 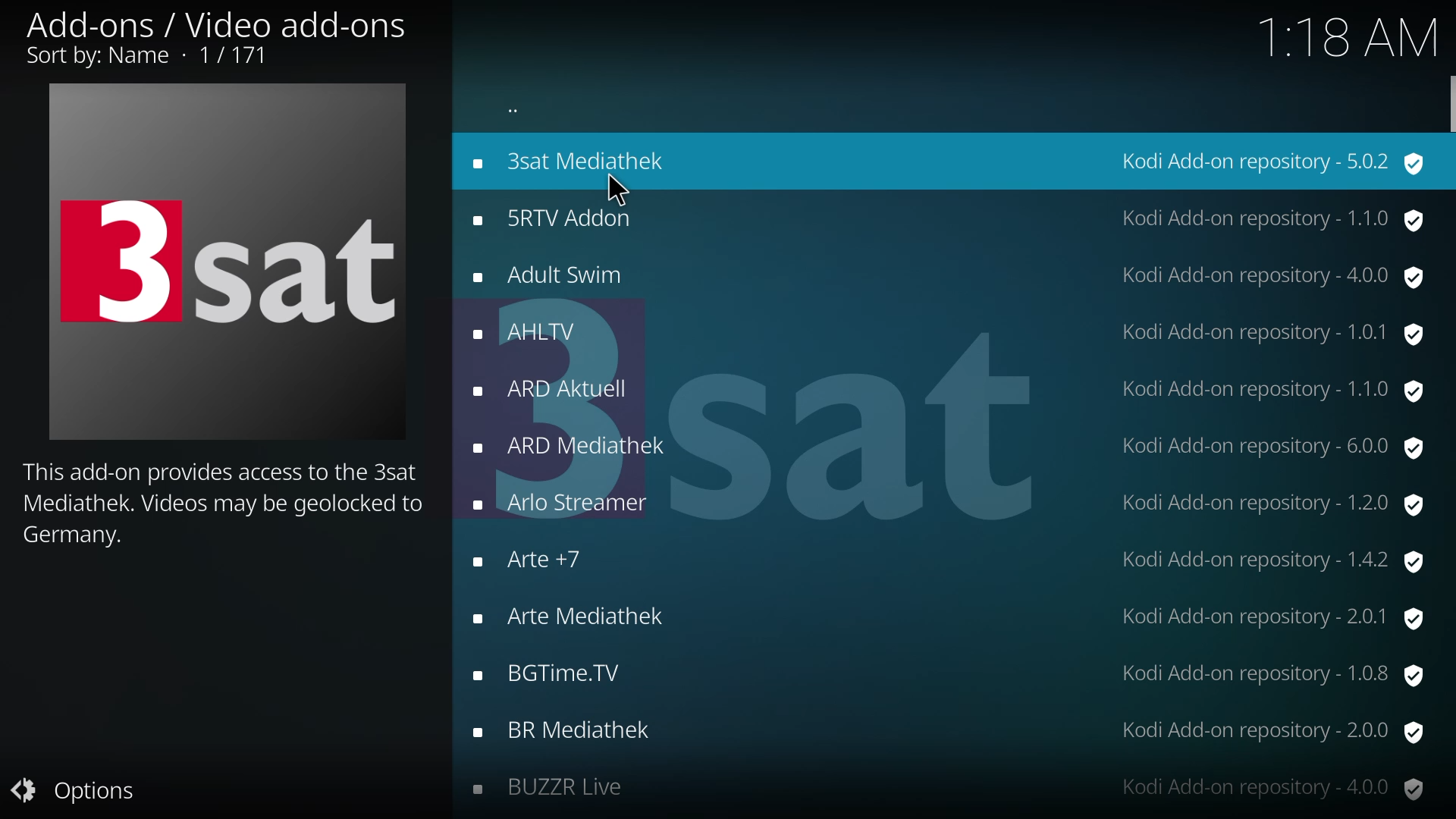 What do you see at coordinates (1454, 105) in the screenshot?
I see `scroll` at bounding box center [1454, 105].